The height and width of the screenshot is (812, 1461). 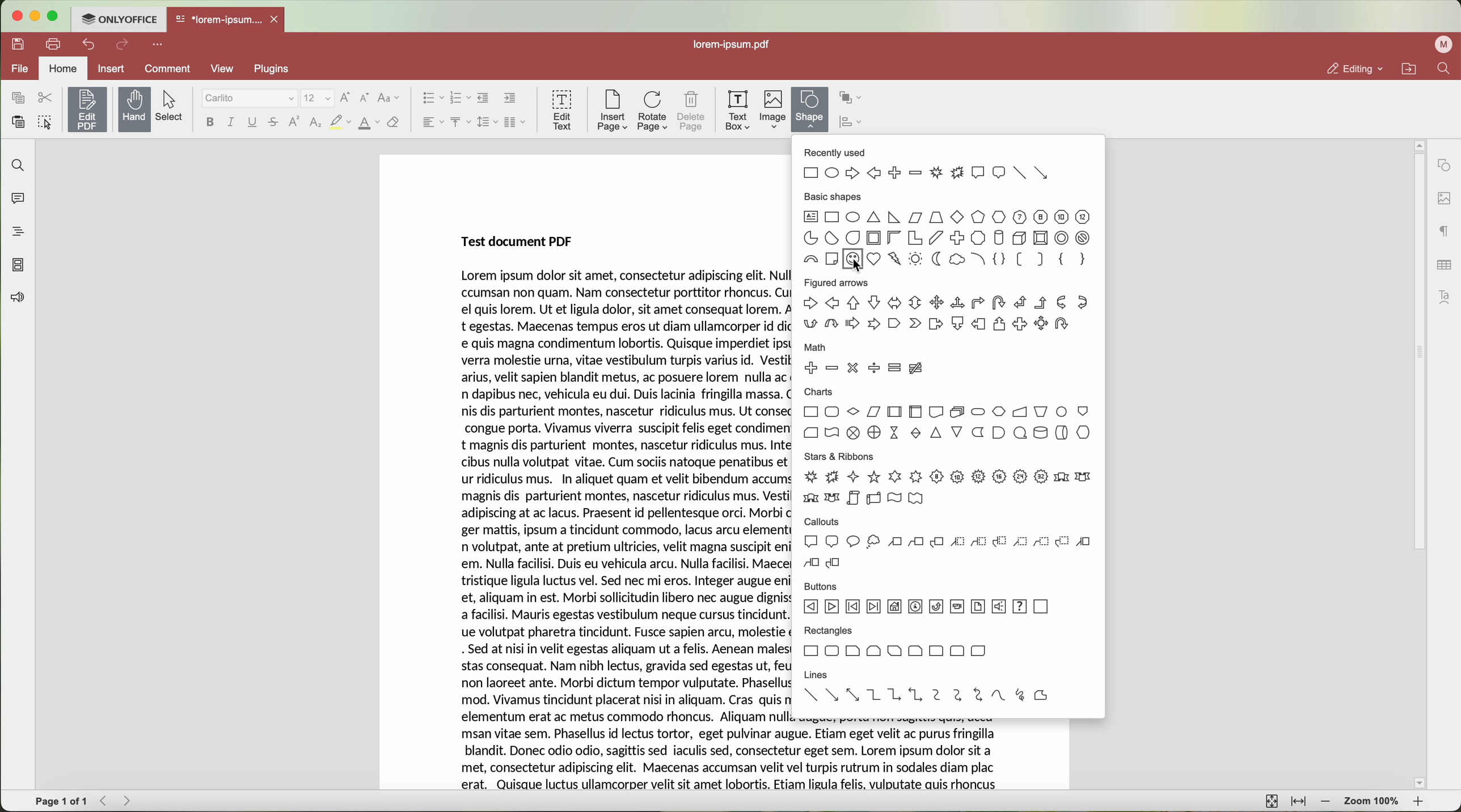 What do you see at coordinates (19, 68) in the screenshot?
I see `file` at bounding box center [19, 68].